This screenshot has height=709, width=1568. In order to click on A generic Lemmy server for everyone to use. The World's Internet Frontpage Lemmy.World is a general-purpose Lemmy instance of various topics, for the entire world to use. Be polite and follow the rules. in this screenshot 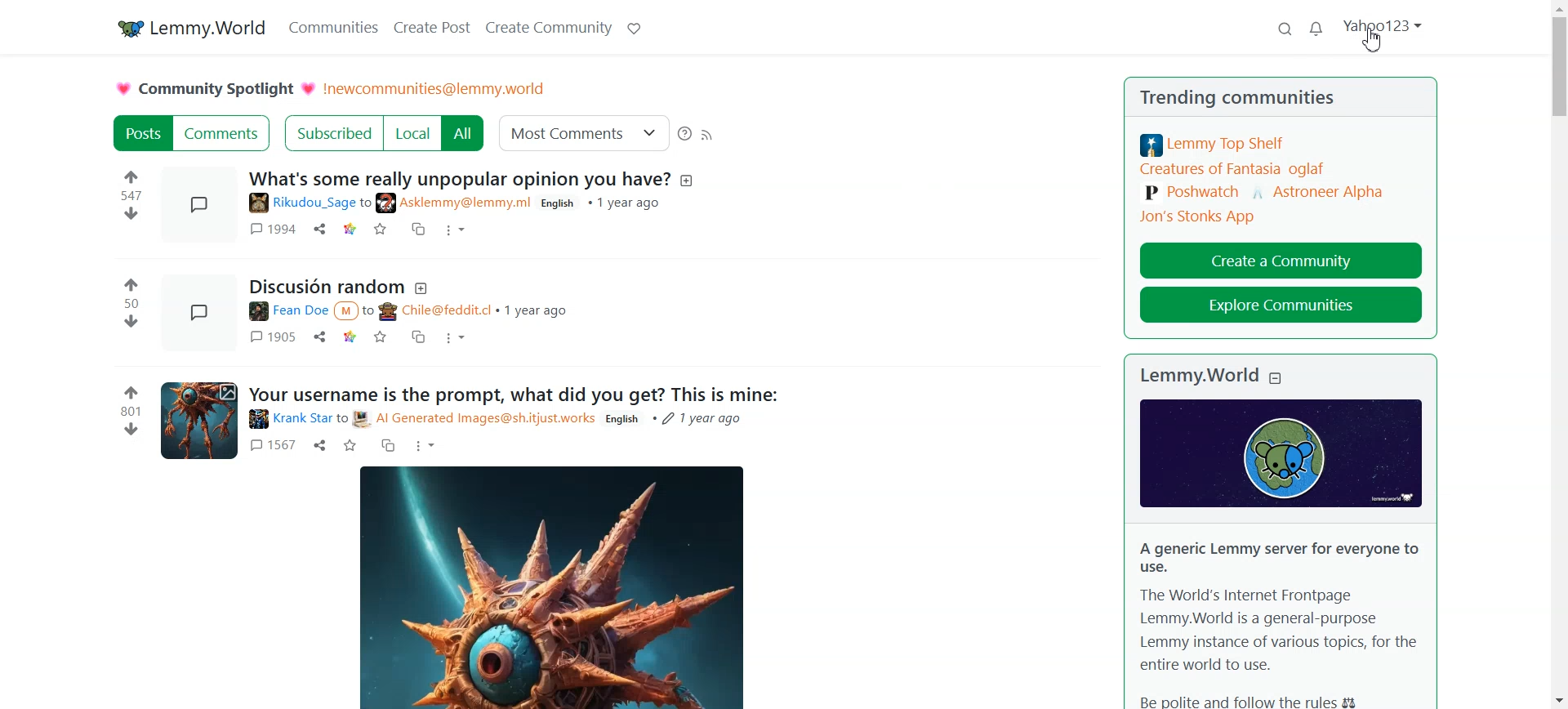, I will do `click(1277, 622)`.